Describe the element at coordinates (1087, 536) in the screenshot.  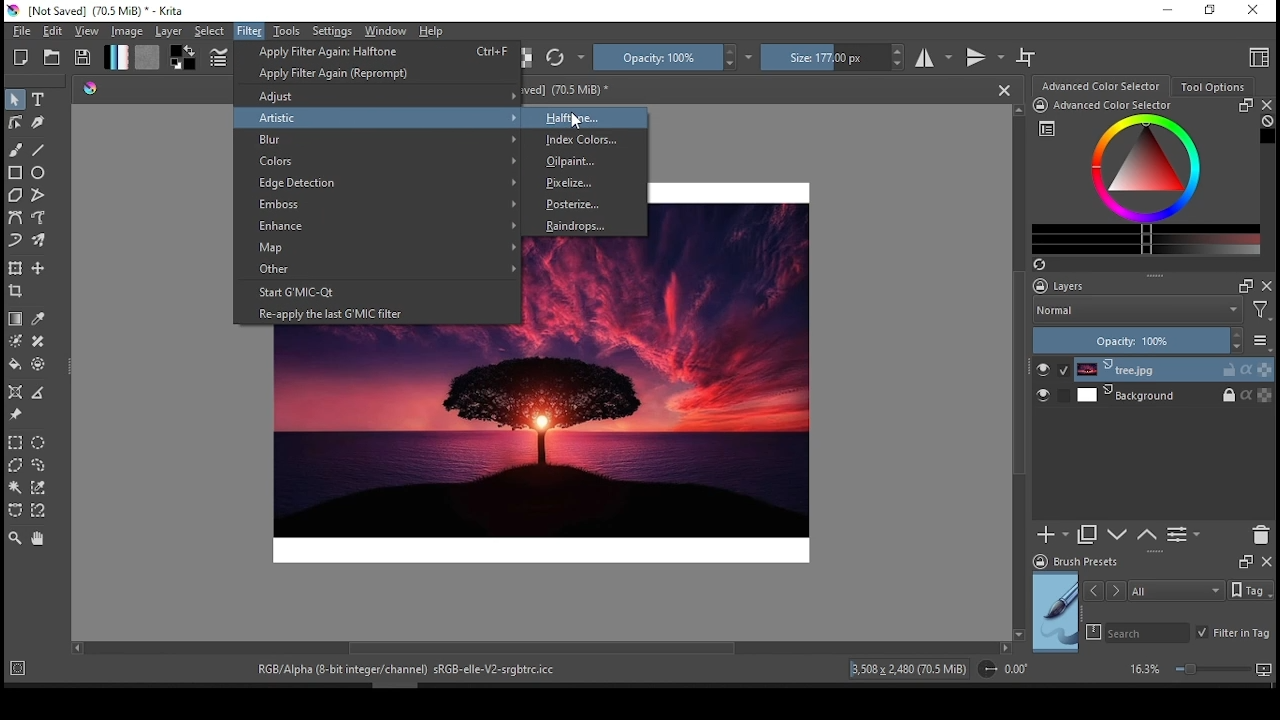
I see `duplicate layer` at that location.